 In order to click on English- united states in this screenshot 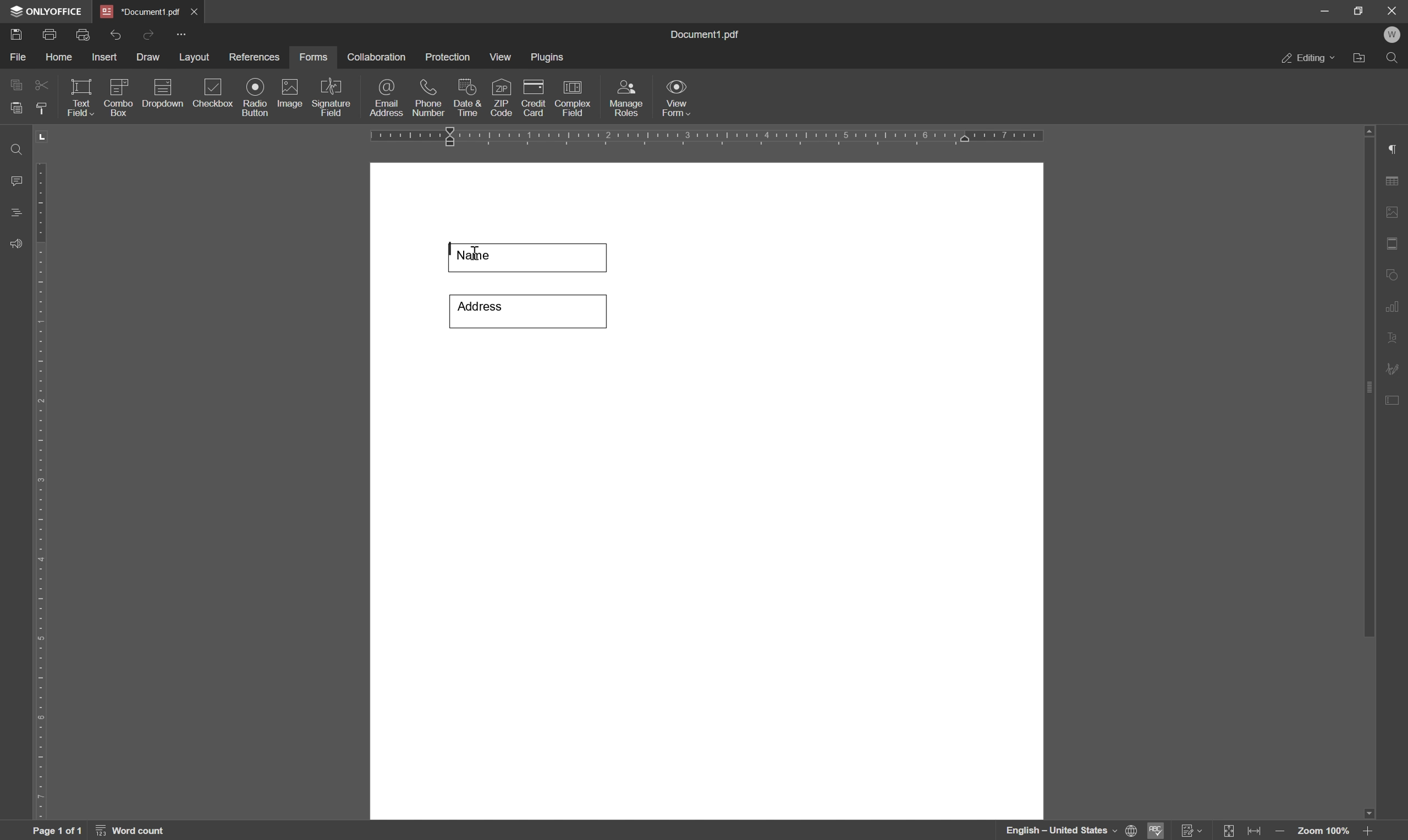, I will do `click(1072, 831)`.